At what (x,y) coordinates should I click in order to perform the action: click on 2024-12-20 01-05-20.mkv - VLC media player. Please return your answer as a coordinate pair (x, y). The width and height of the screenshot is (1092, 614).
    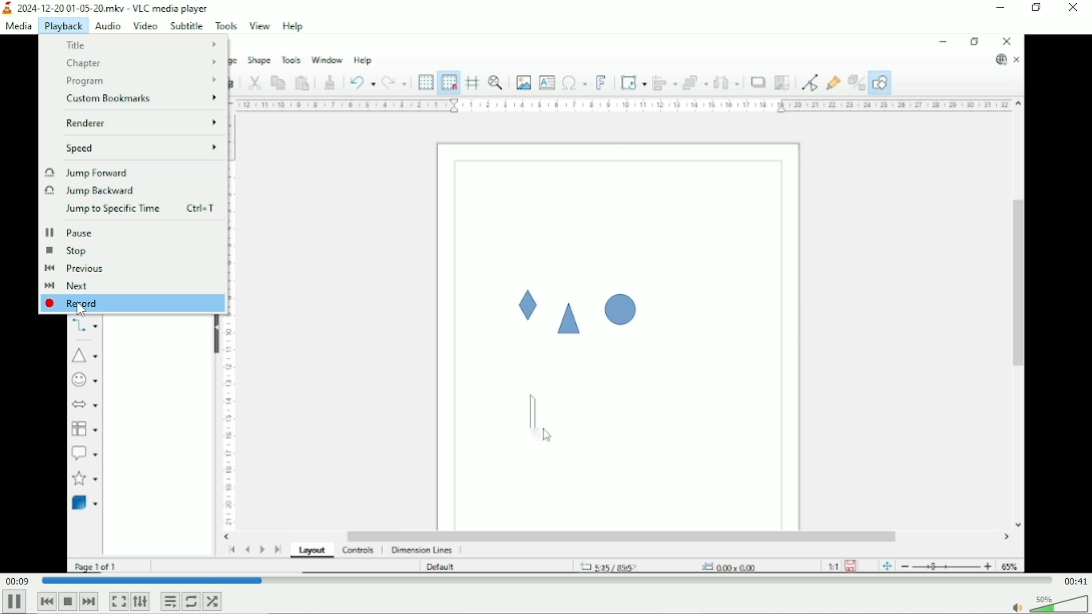
    Looking at the image, I should click on (107, 8).